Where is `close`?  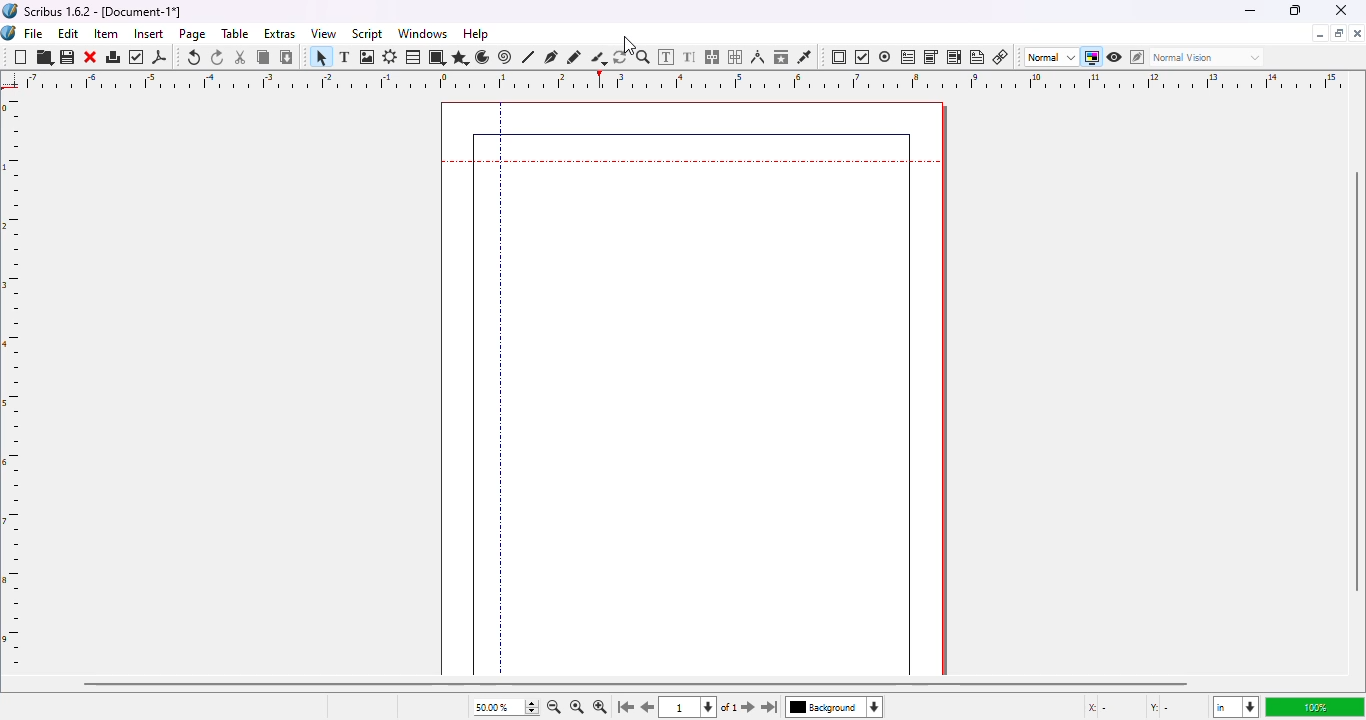
close is located at coordinates (1357, 33).